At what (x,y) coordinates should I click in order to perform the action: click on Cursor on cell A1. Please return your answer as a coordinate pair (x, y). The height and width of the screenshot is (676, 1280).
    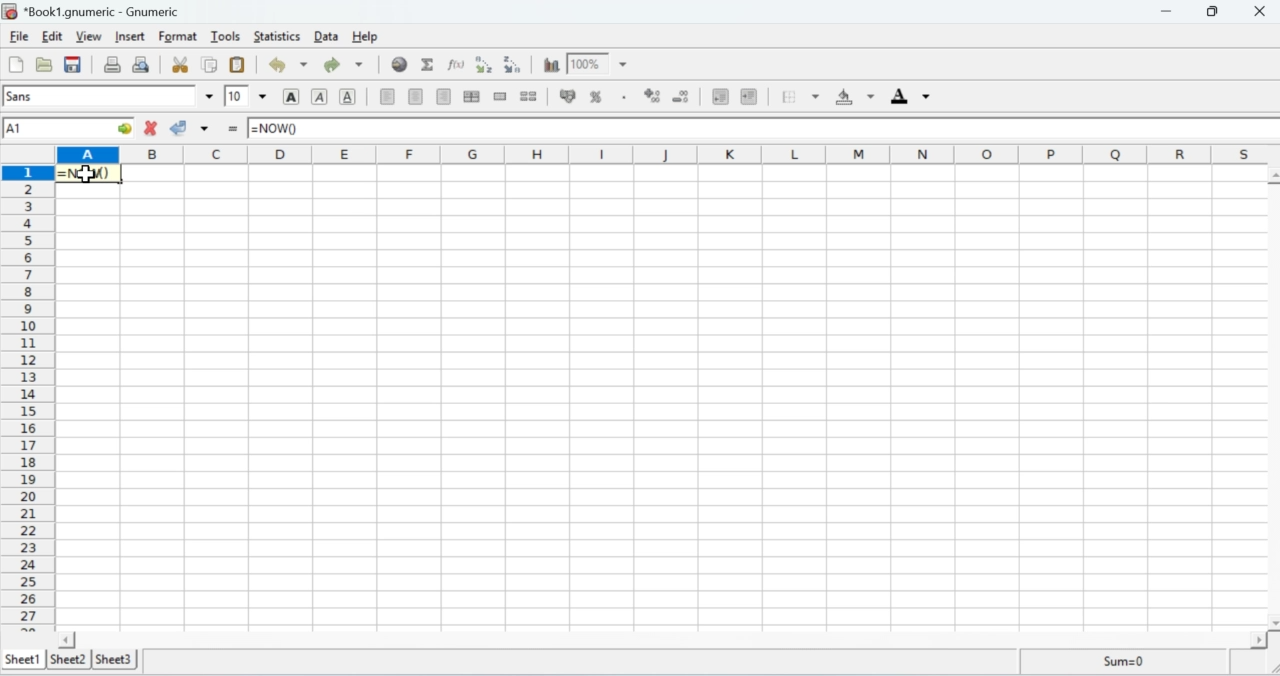
    Looking at the image, I should click on (93, 176).